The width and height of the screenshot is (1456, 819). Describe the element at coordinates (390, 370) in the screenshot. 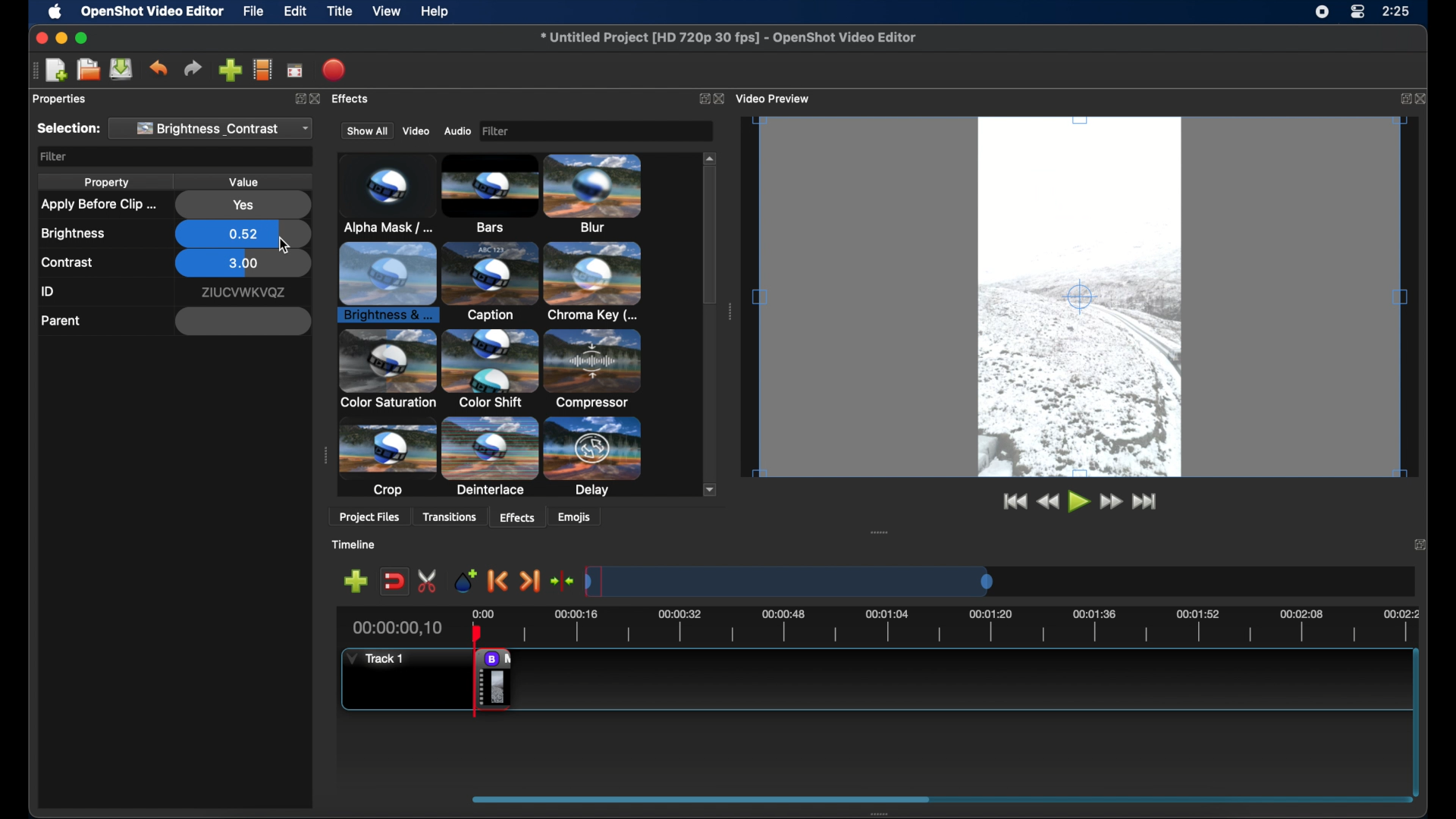

I see `crop` at that location.